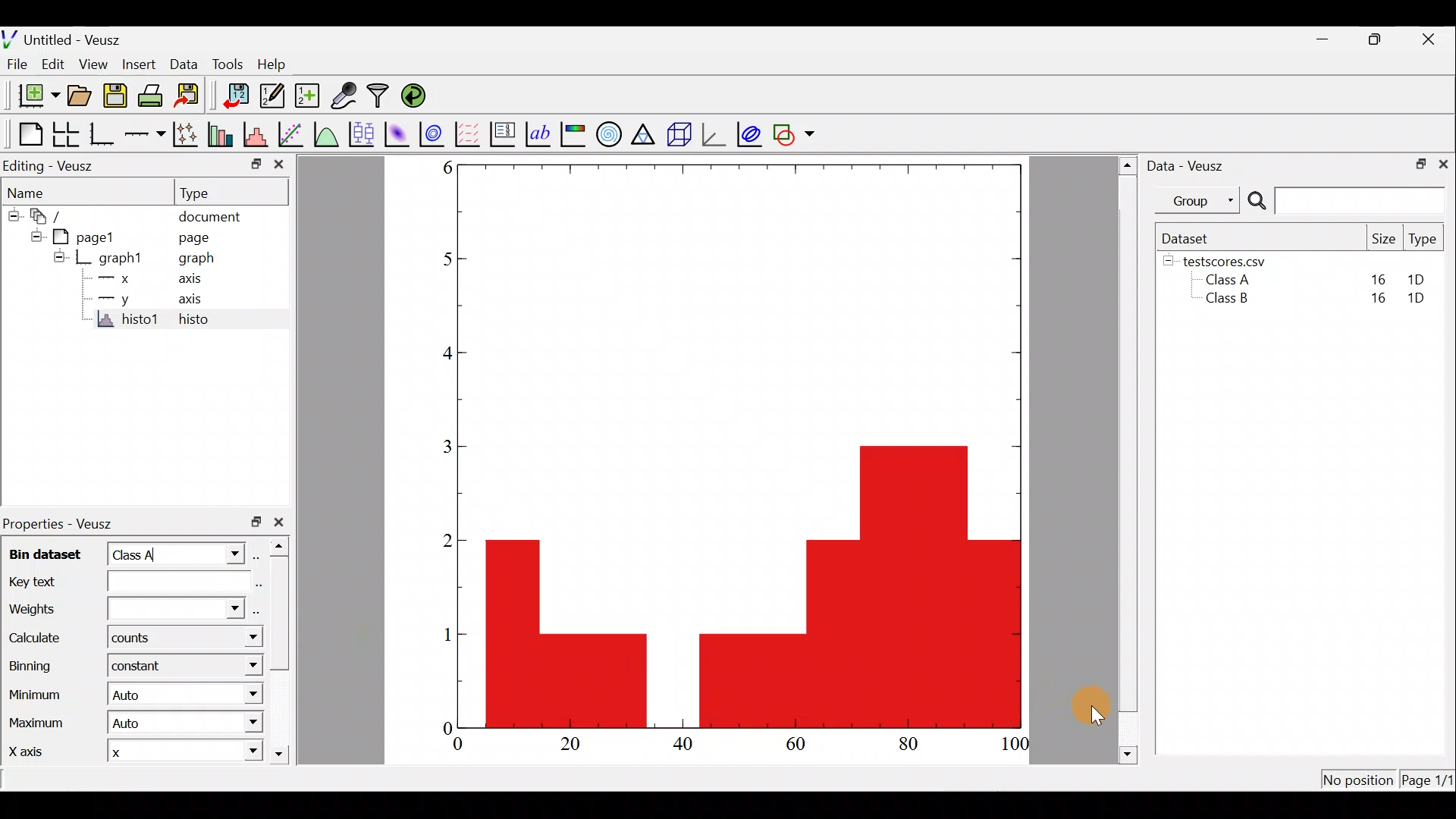 The height and width of the screenshot is (819, 1456). What do you see at coordinates (252, 522) in the screenshot?
I see `restore down` at bounding box center [252, 522].